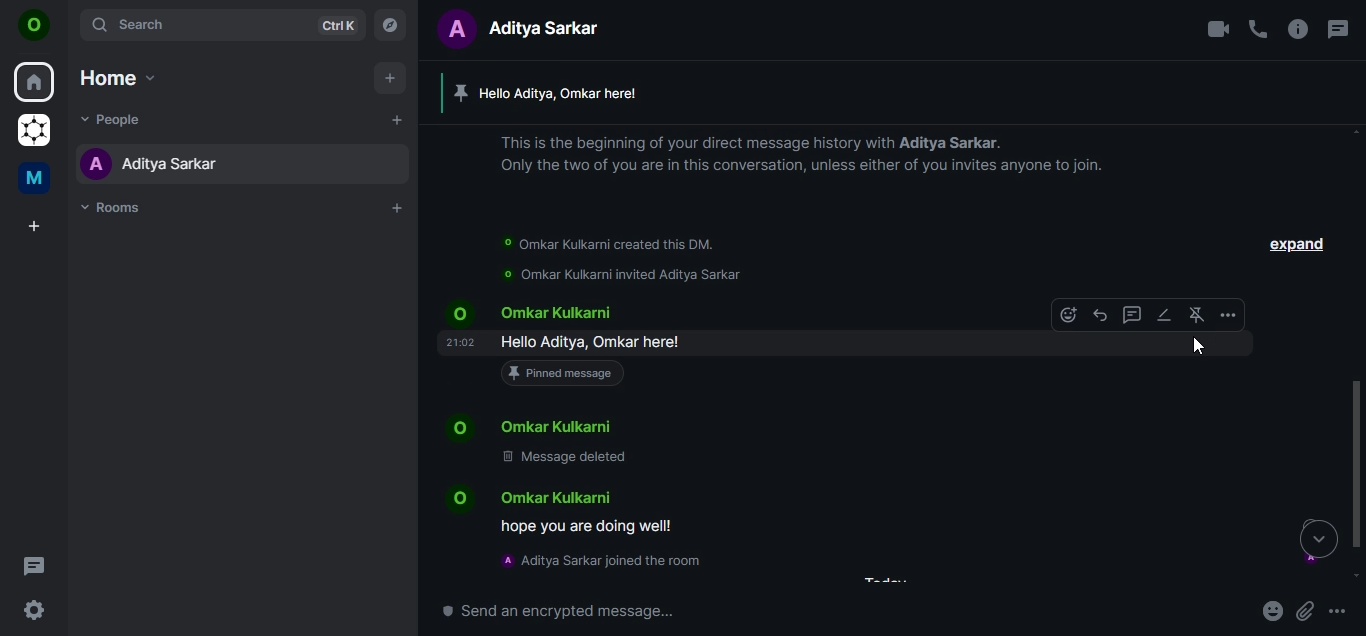  Describe the element at coordinates (1231, 316) in the screenshot. I see `more options` at that location.